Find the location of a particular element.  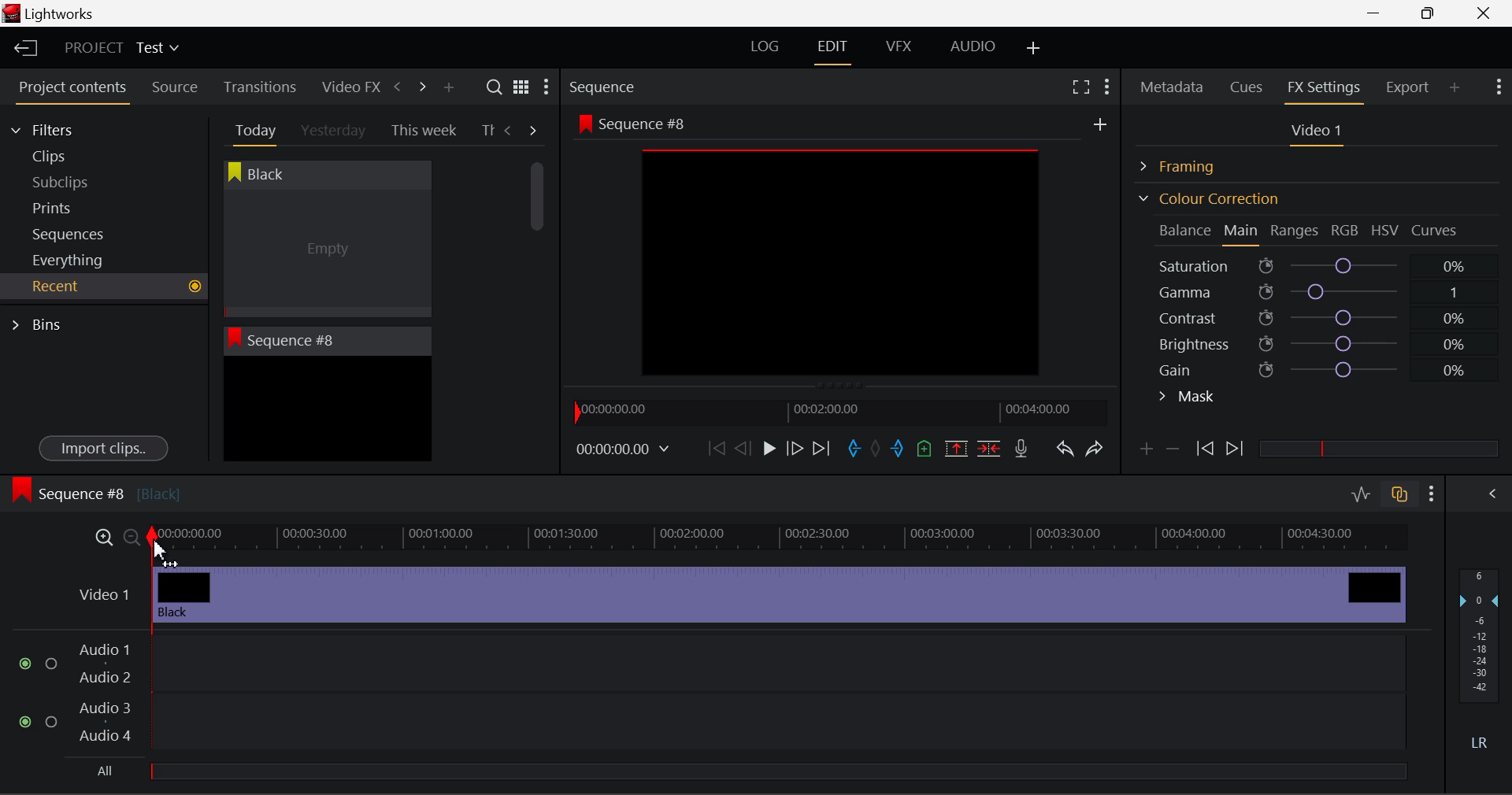

Previous Tab is located at coordinates (510, 130).